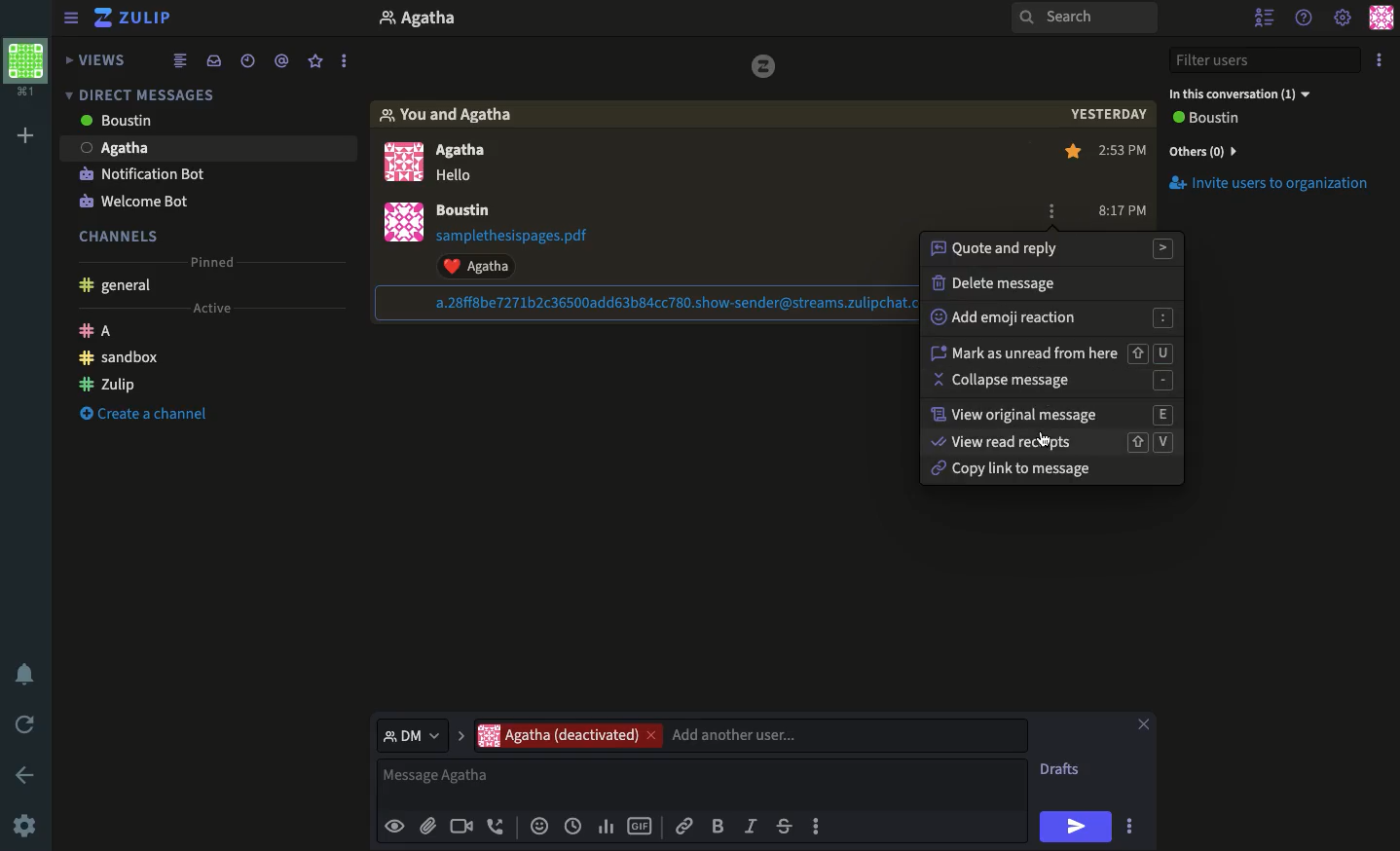 The width and height of the screenshot is (1400, 851). What do you see at coordinates (1056, 248) in the screenshot?
I see `Quote and reply` at bounding box center [1056, 248].